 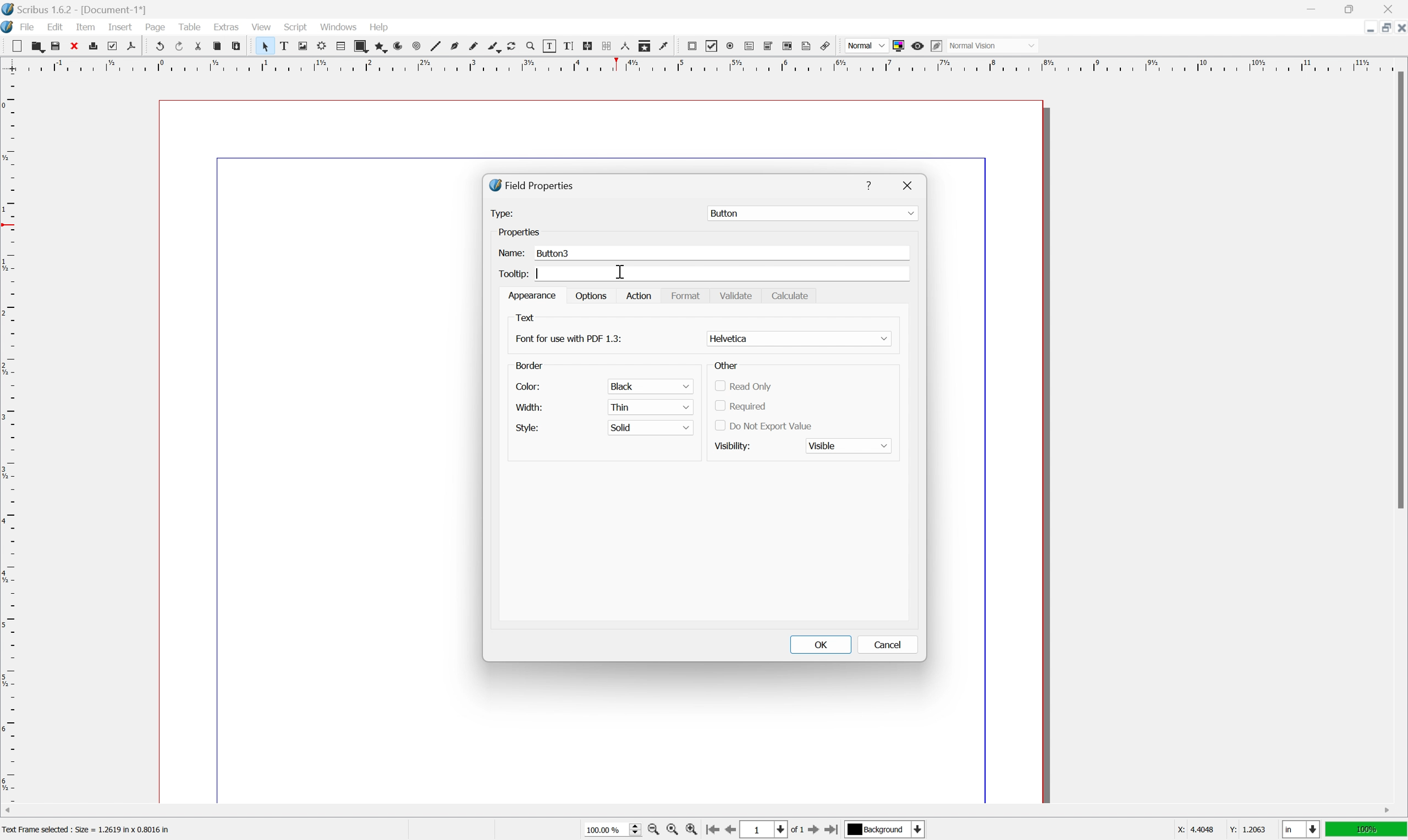 What do you see at coordinates (590, 296) in the screenshot?
I see `options` at bounding box center [590, 296].